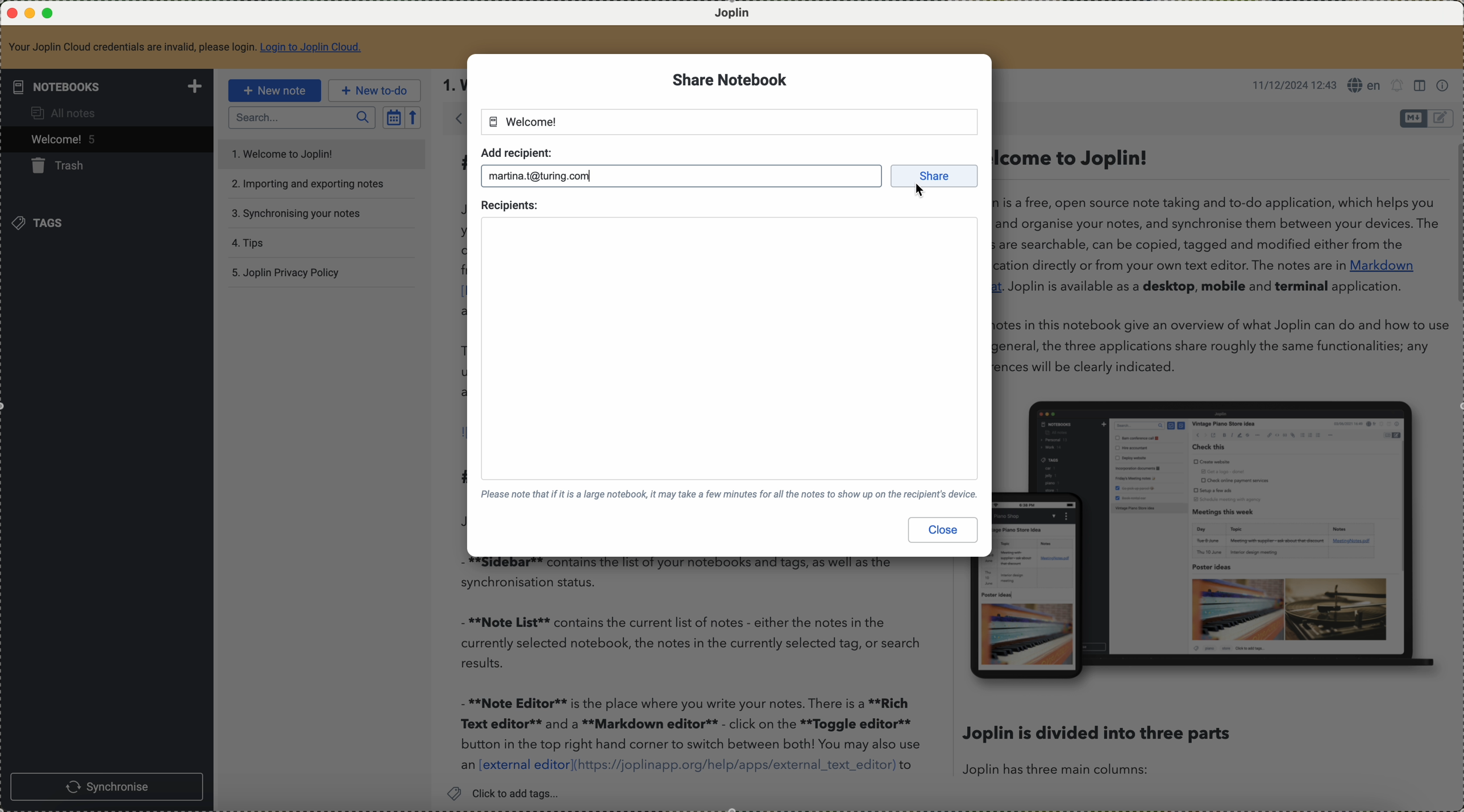 This screenshot has width=1464, height=812. What do you see at coordinates (923, 193) in the screenshot?
I see `Cursor` at bounding box center [923, 193].